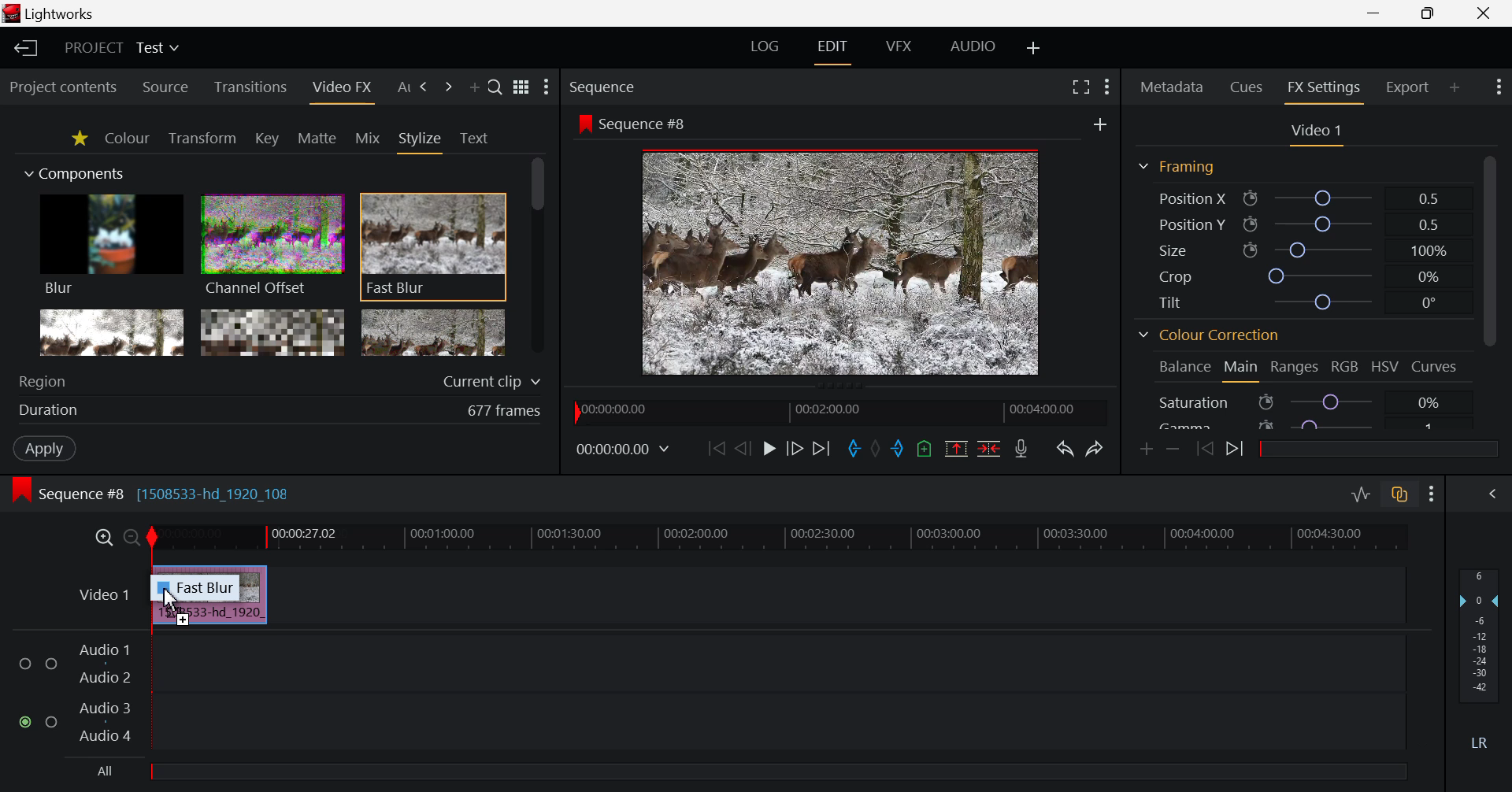 The height and width of the screenshot is (792, 1512). What do you see at coordinates (1324, 91) in the screenshot?
I see `FX Settings Open` at bounding box center [1324, 91].